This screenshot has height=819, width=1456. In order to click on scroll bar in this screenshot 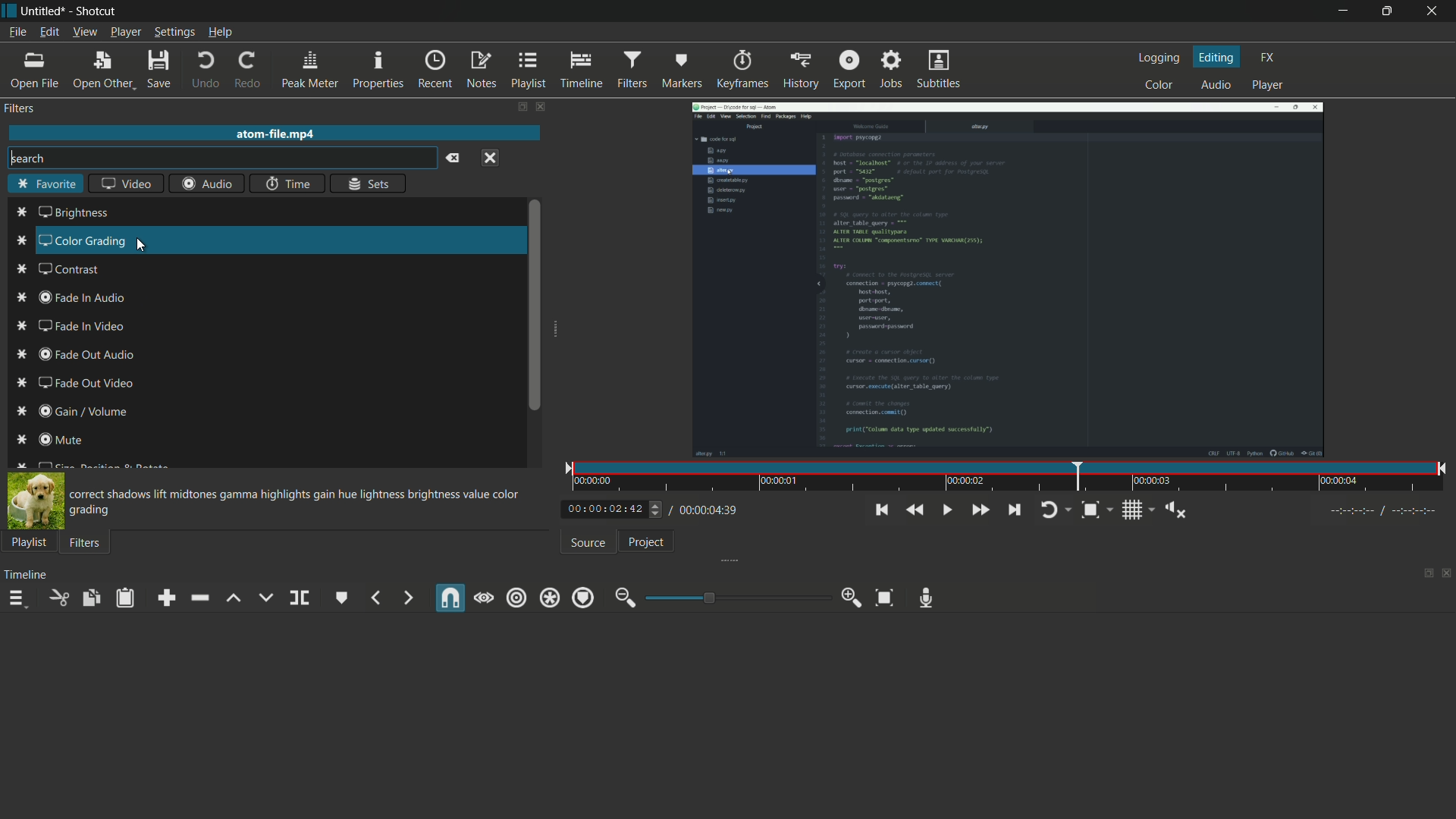, I will do `click(534, 304)`.